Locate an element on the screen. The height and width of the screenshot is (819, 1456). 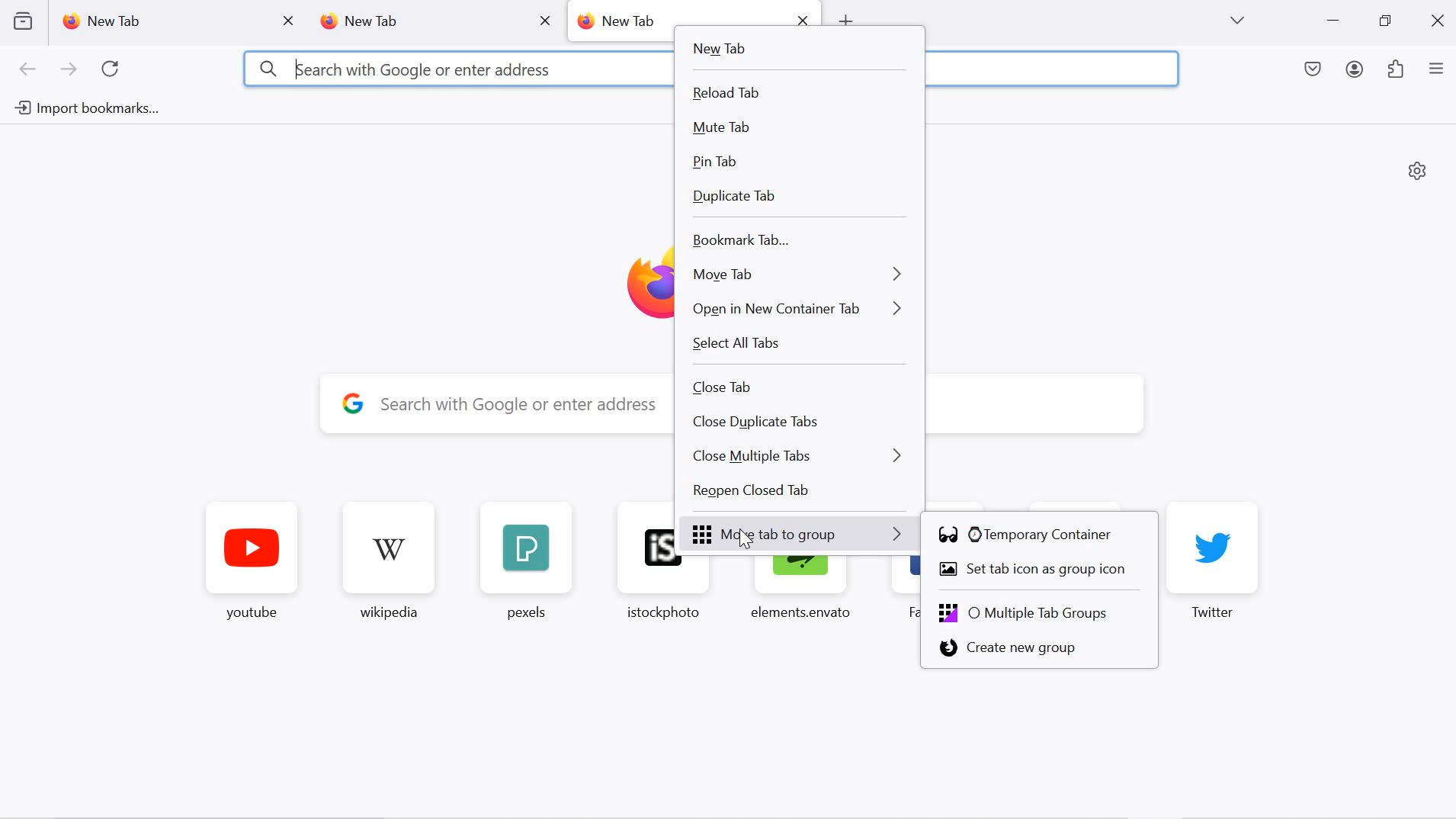
3 kearch with Google or enter address is located at coordinates (404, 69).